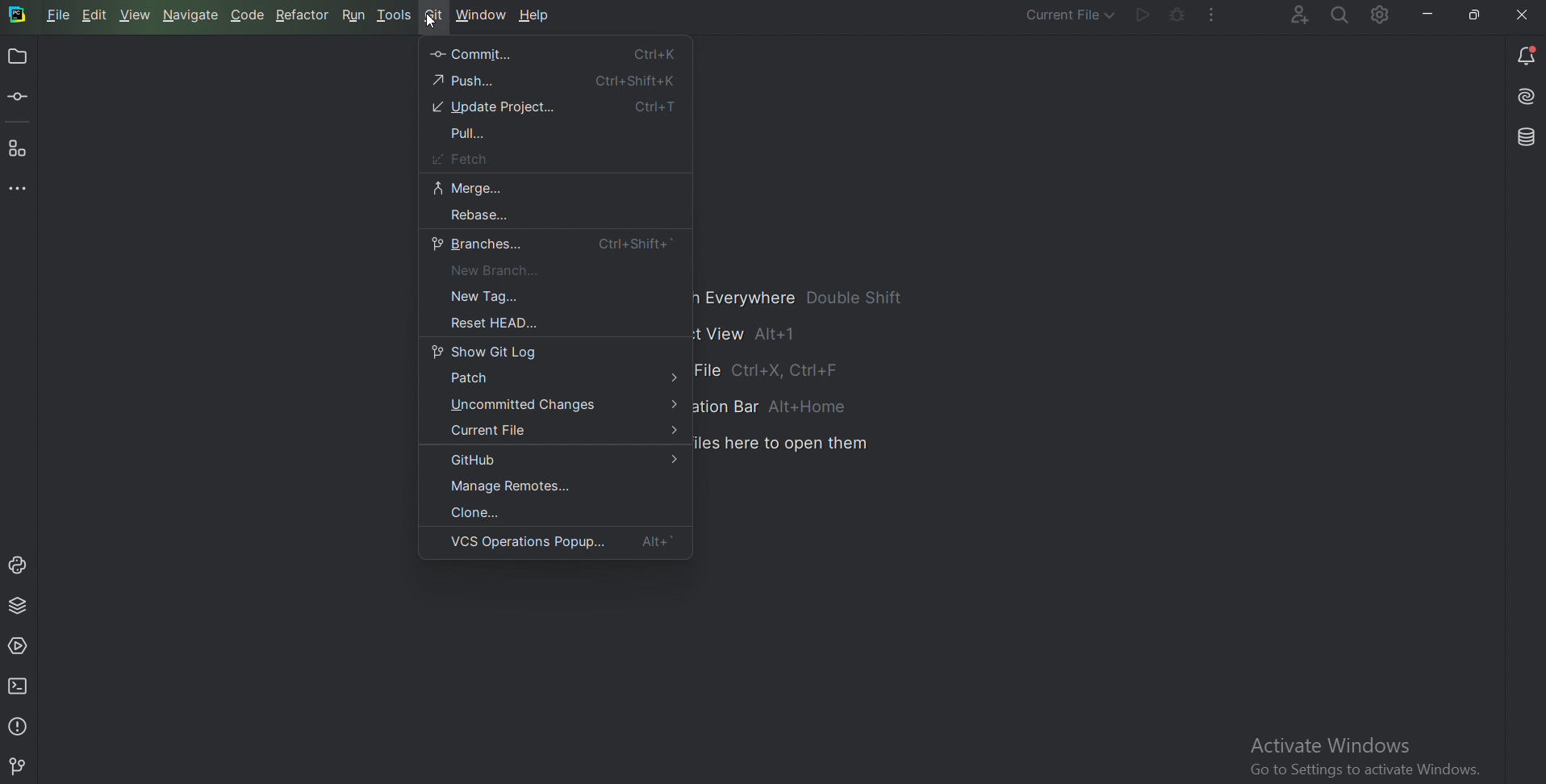 The width and height of the screenshot is (1546, 784). Describe the element at coordinates (557, 107) in the screenshot. I see `Update project` at that location.